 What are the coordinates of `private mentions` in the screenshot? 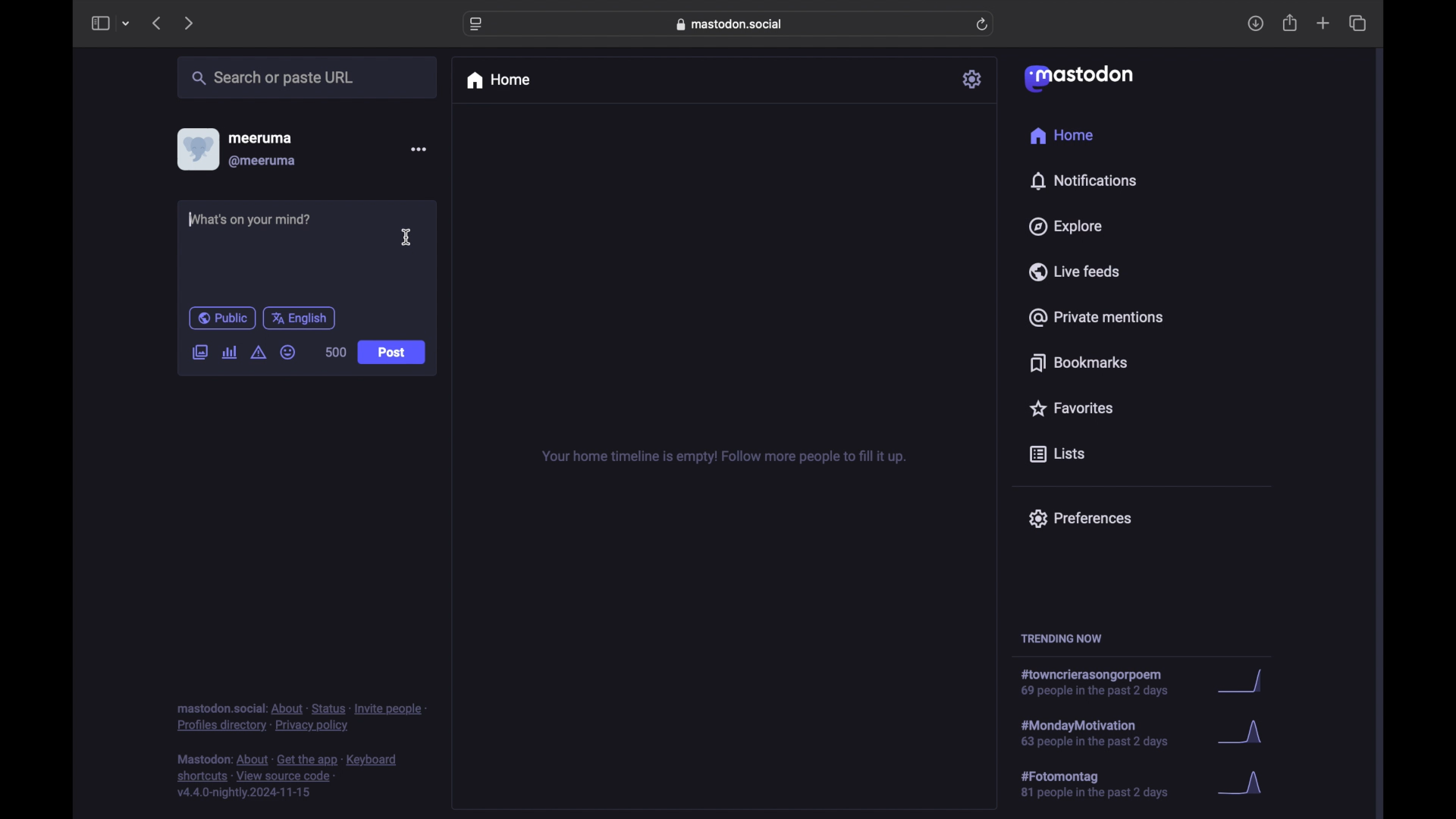 It's located at (1097, 317).